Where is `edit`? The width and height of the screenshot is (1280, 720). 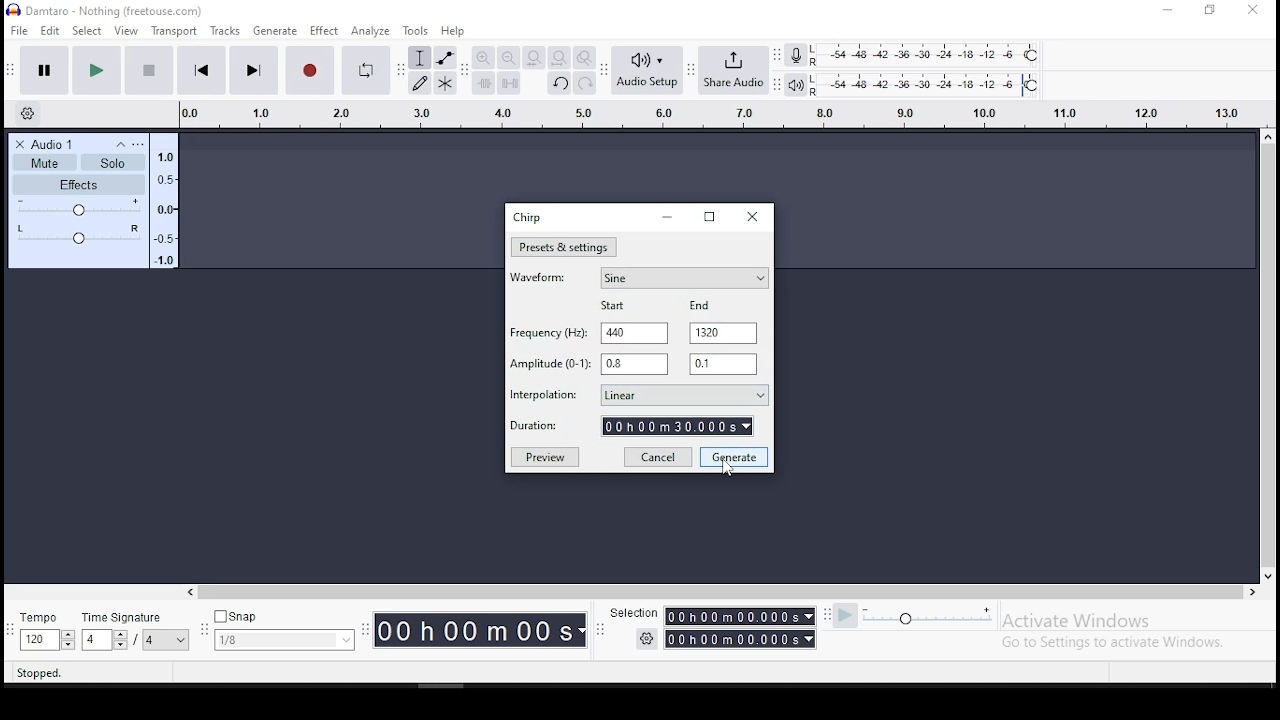 edit is located at coordinates (53, 33).